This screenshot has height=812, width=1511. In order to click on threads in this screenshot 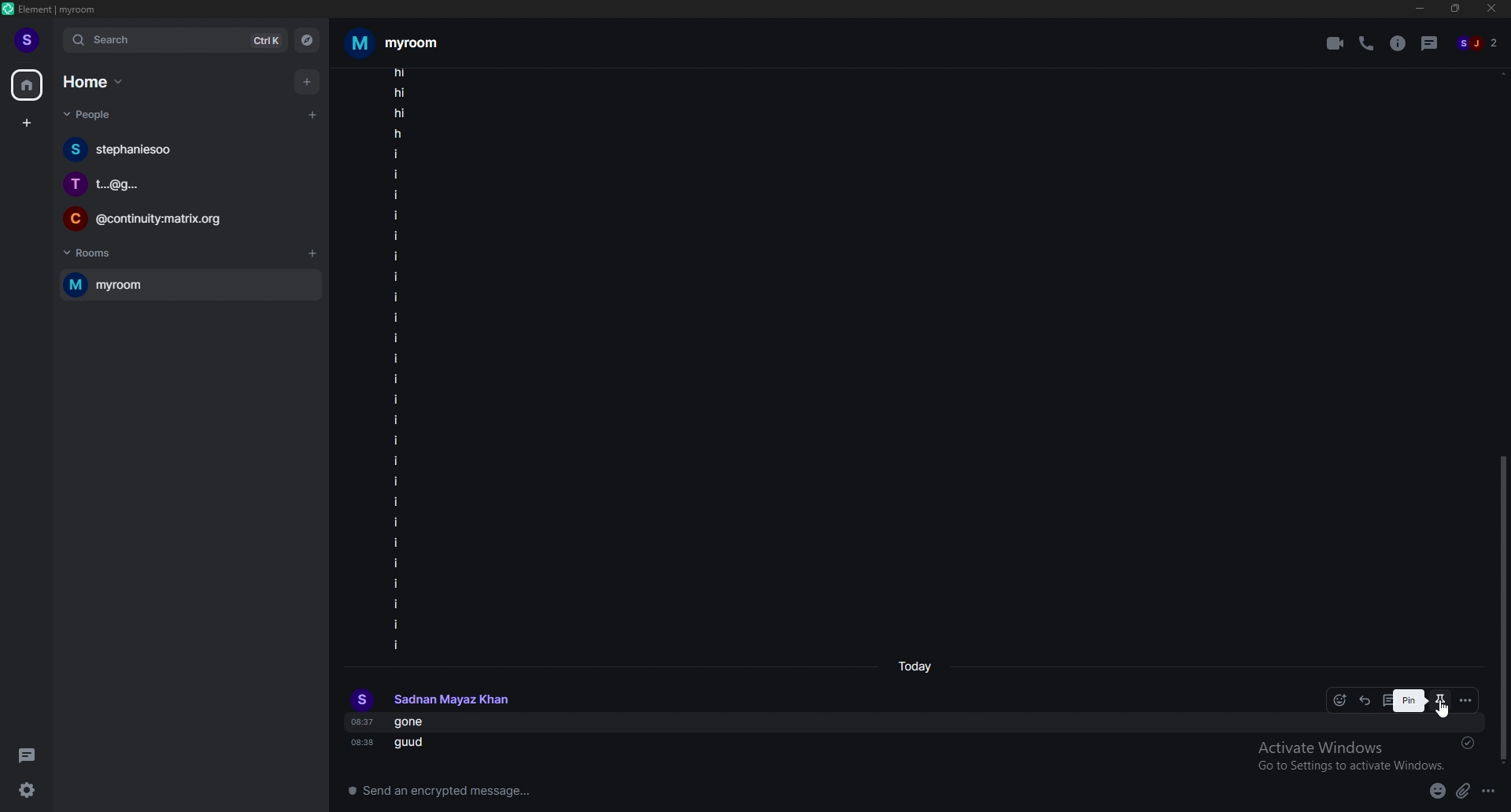, I will do `click(1430, 43)`.